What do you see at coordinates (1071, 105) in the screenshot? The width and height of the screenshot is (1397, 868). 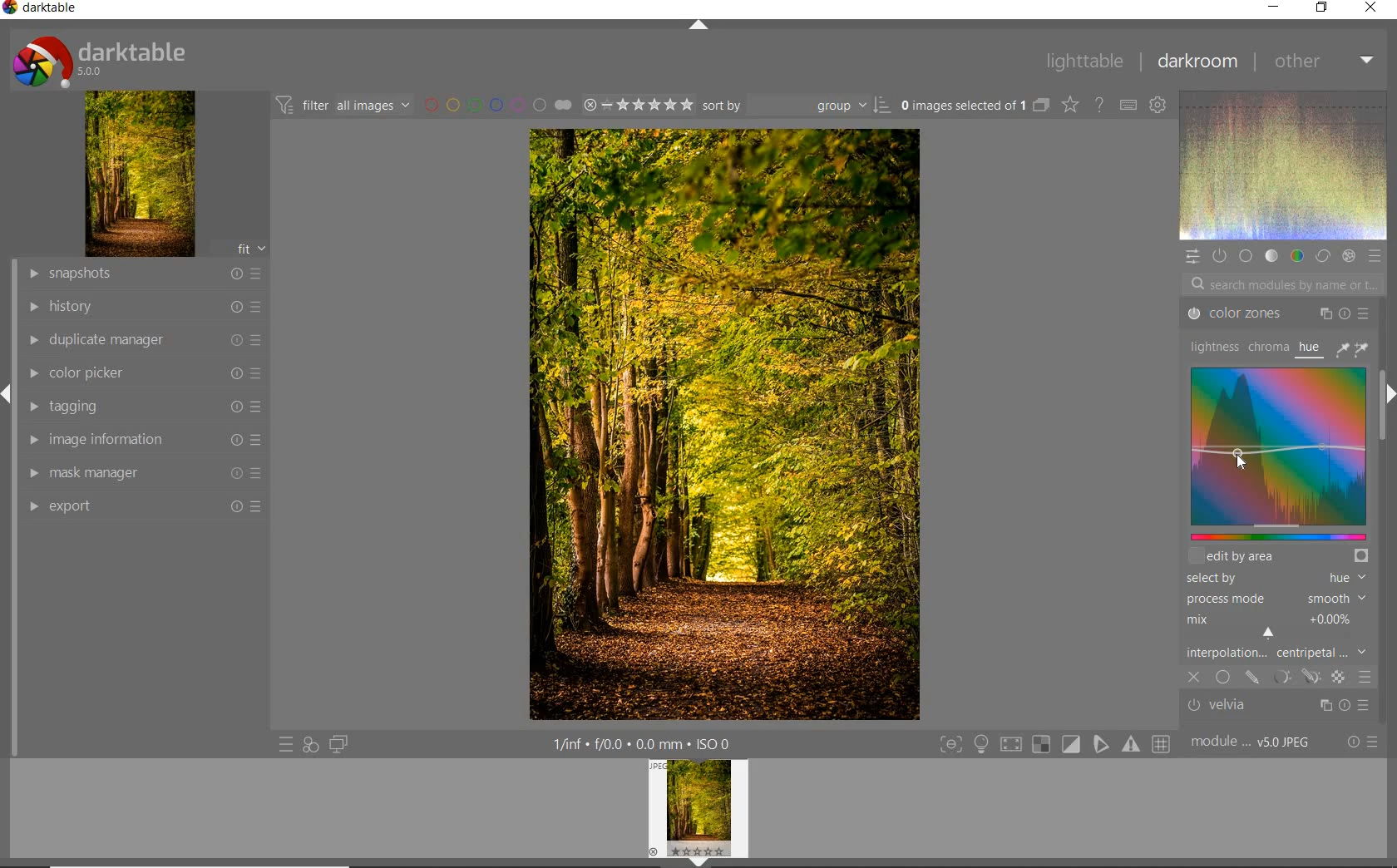 I see `CHANGE TYPE OVERRELAY` at bounding box center [1071, 105].